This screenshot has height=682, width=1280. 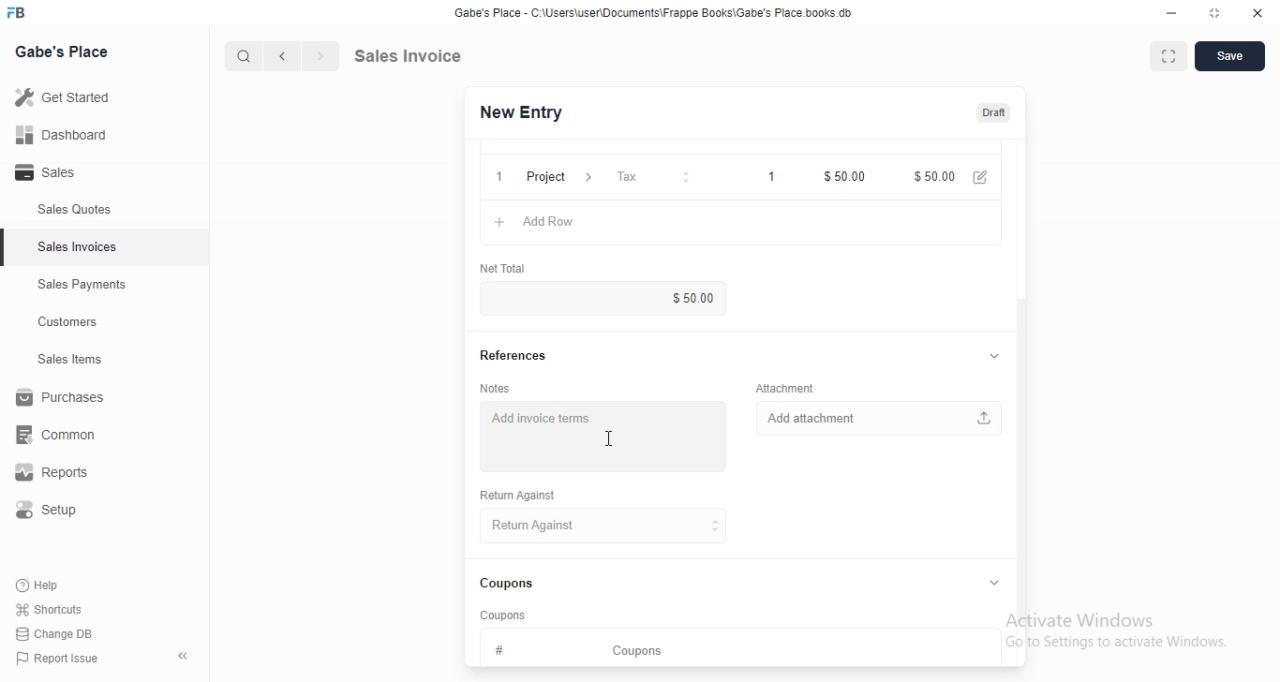 What do you see at coordinates (523, 495) in the screenshot?
I see `Return Against` at bounding box center [523, 495].